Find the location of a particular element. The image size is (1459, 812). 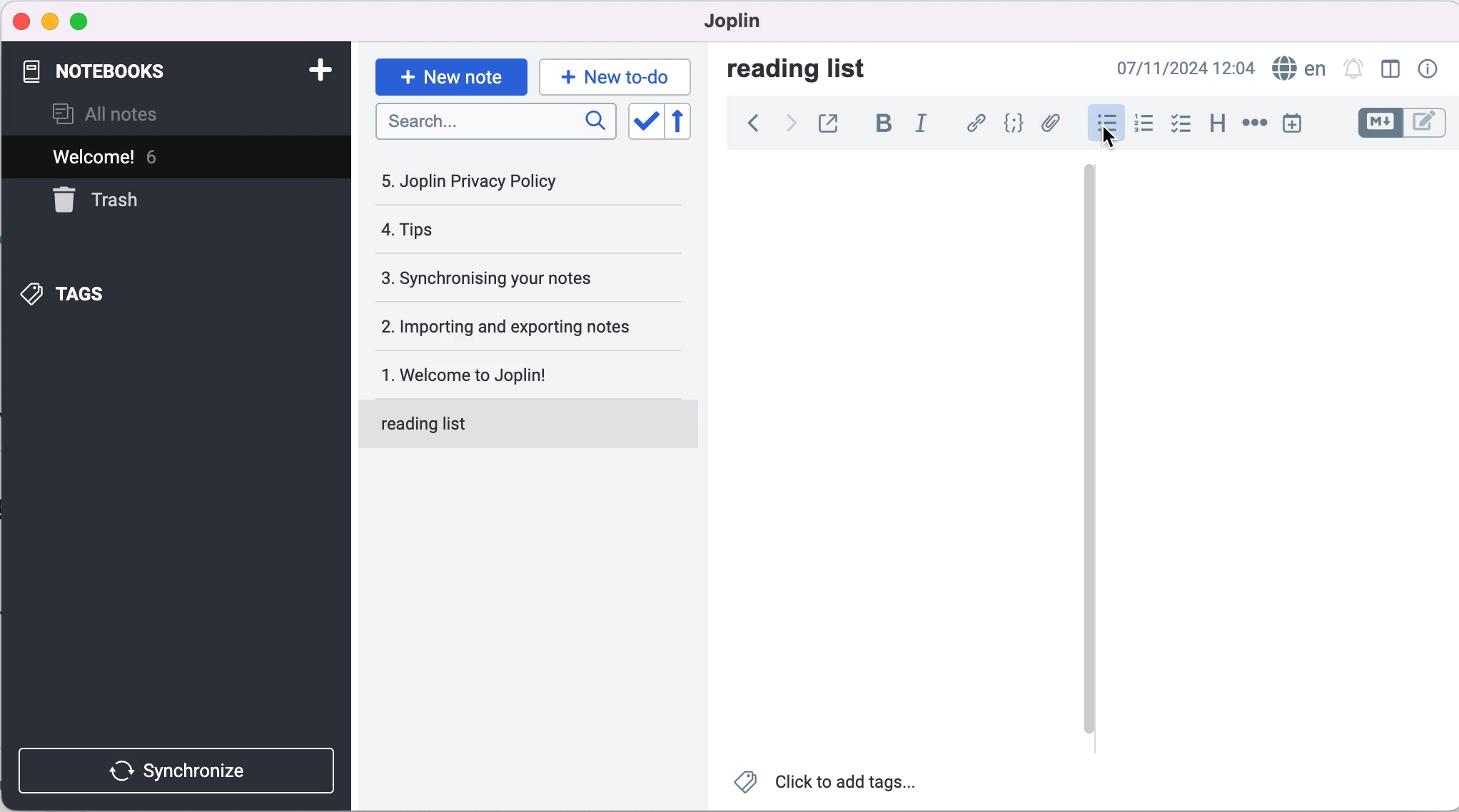

welcome! 6 is located at coordinates (158, 158).